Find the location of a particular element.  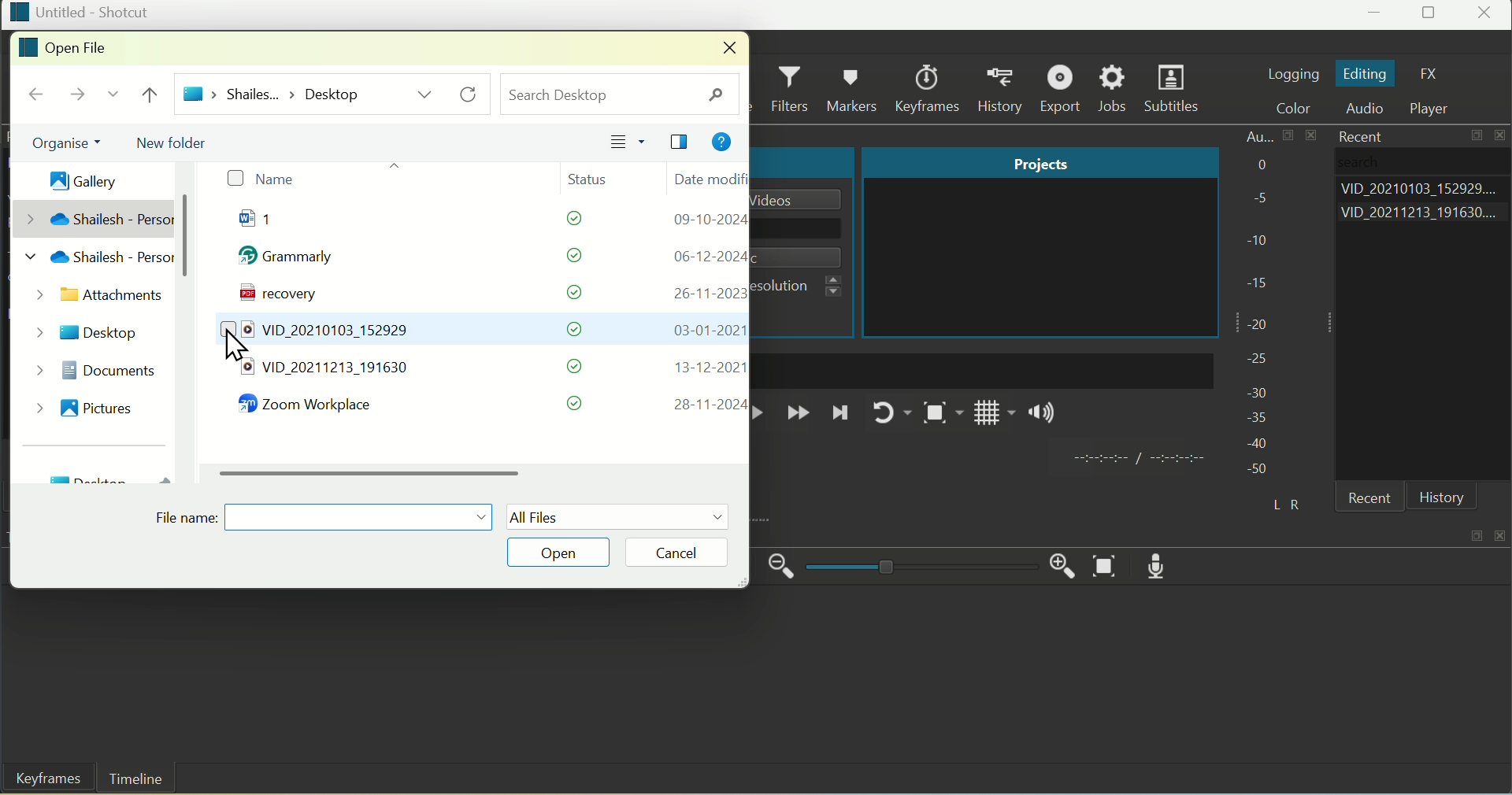

Zoom Workplace is located at coordinates (314, 406).